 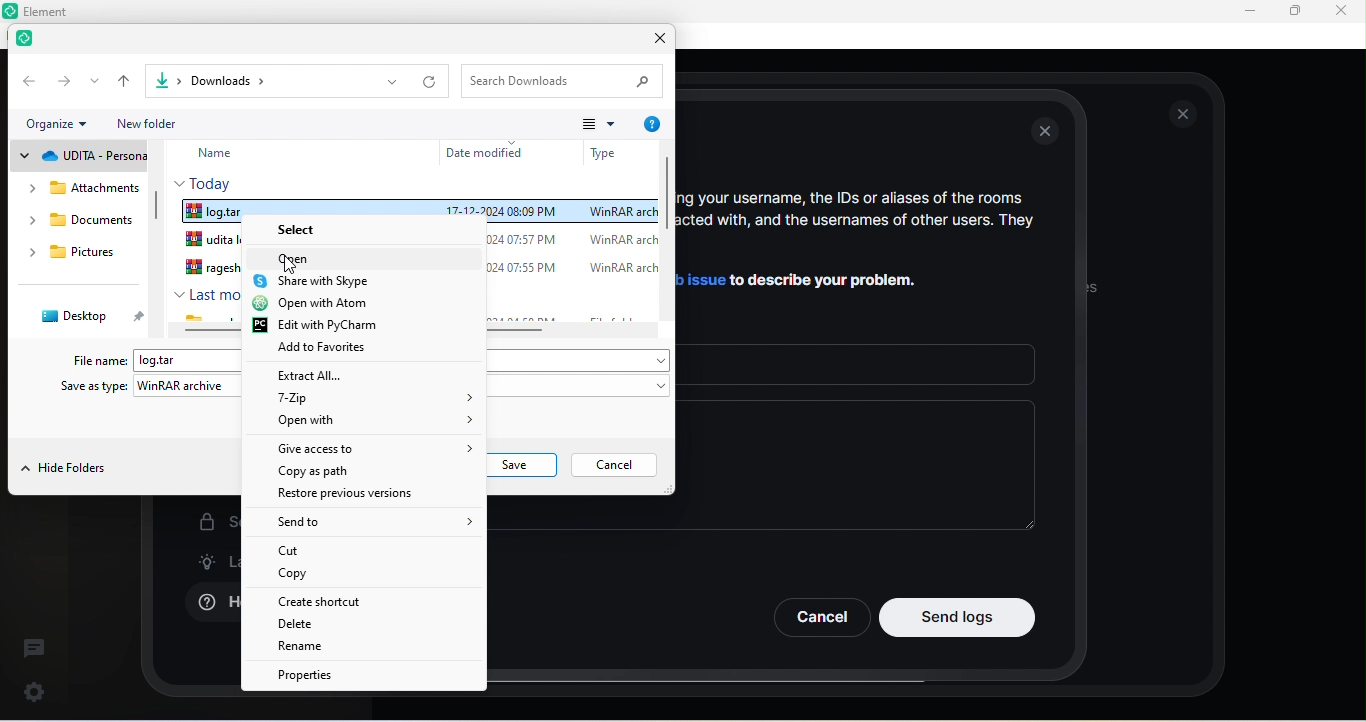 What do you see at coordinates (1048, 133) in the screenshot?
I see `close` at bounding box center [1048, 133].